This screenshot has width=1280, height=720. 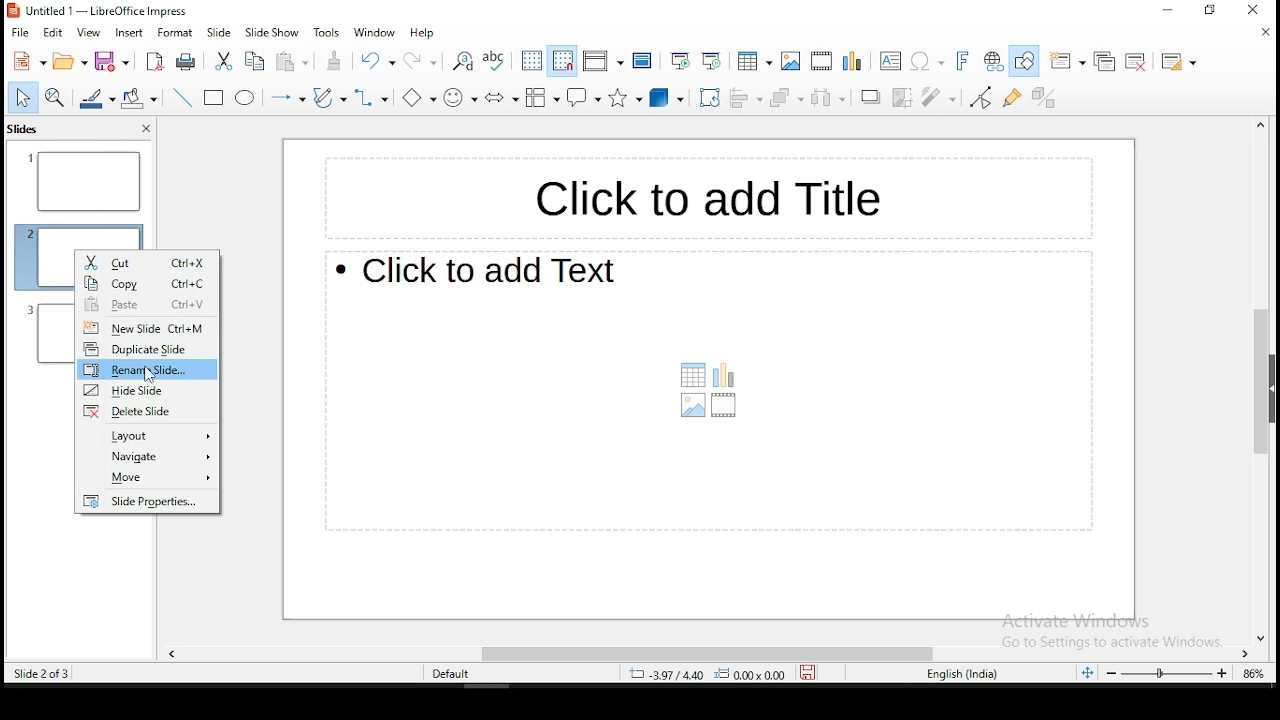 I want to click on close, so click(x=1263, y=36).